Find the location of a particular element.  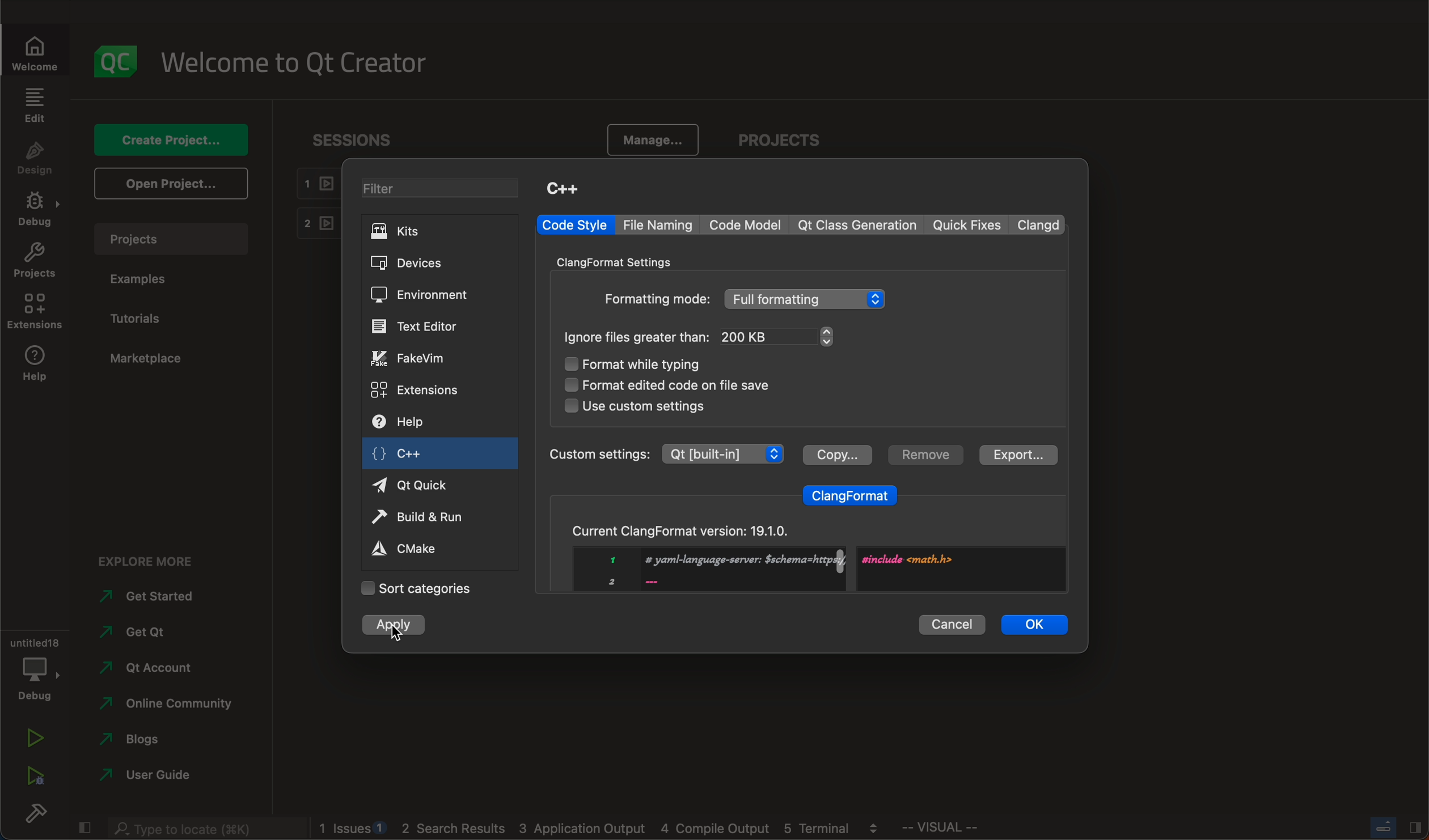

extensions is located at coordinates (34, 312).